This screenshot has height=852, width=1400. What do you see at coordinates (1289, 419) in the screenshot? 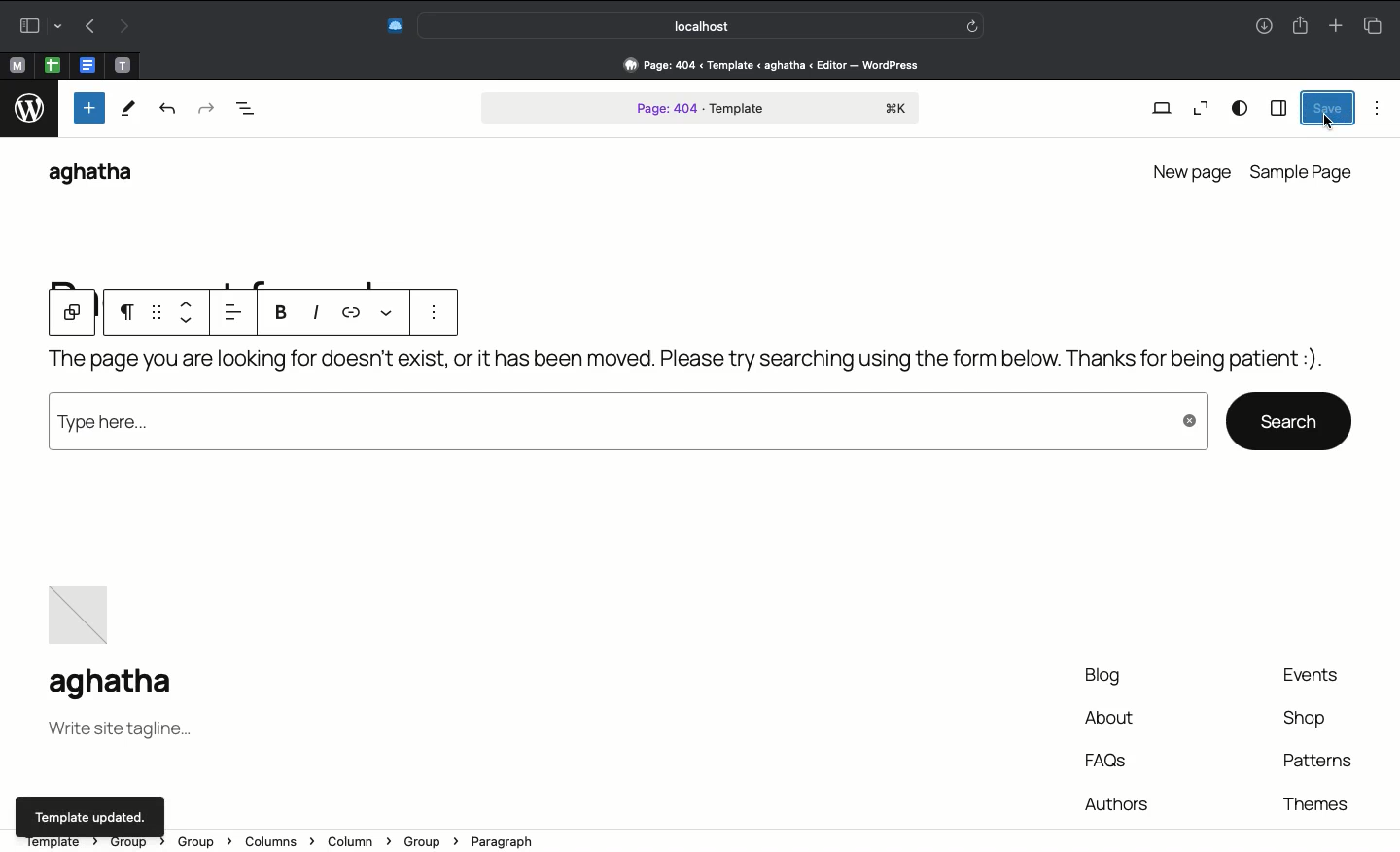
I see `search` at bounding box center [1289, 419].